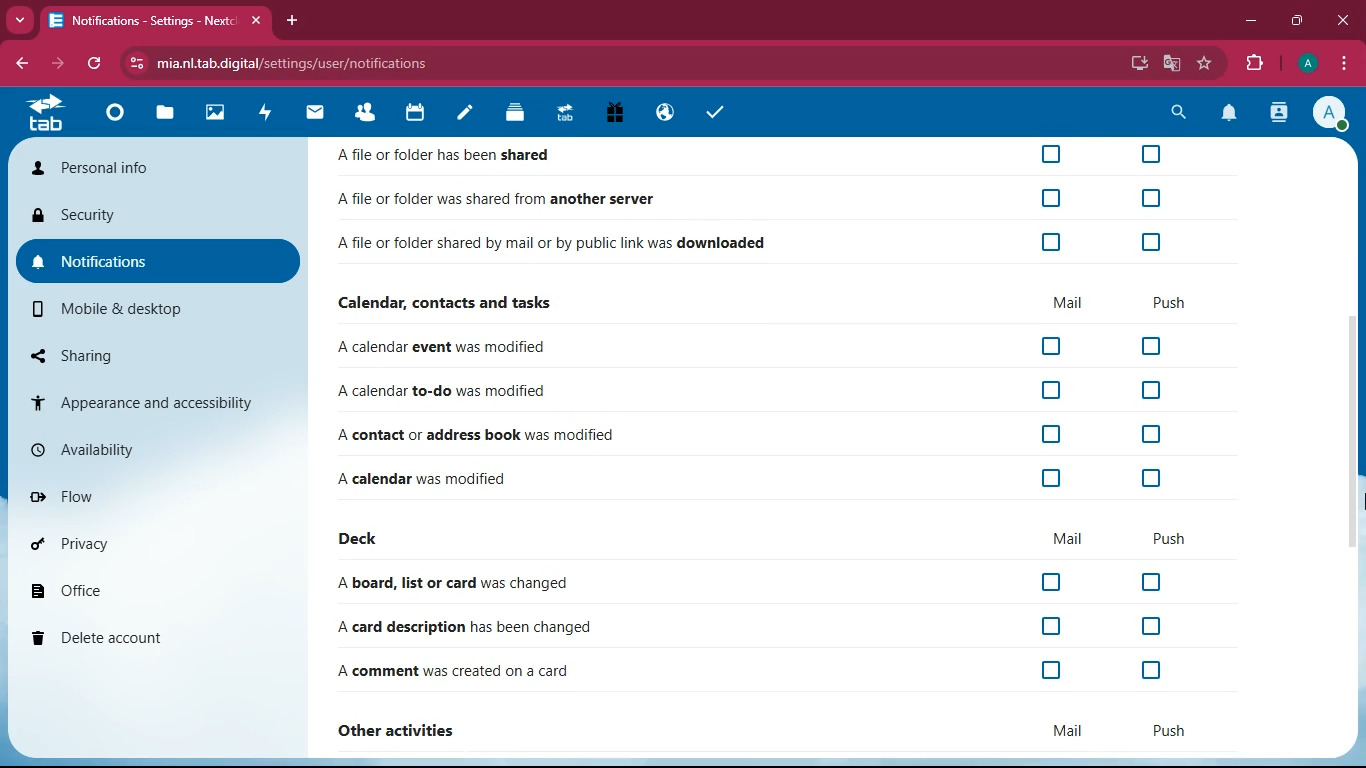 The height and width of the screenshot is (768, 1366). Describe the element at coordinates (1153, 197) in the screenshot. I see `off` at that location.